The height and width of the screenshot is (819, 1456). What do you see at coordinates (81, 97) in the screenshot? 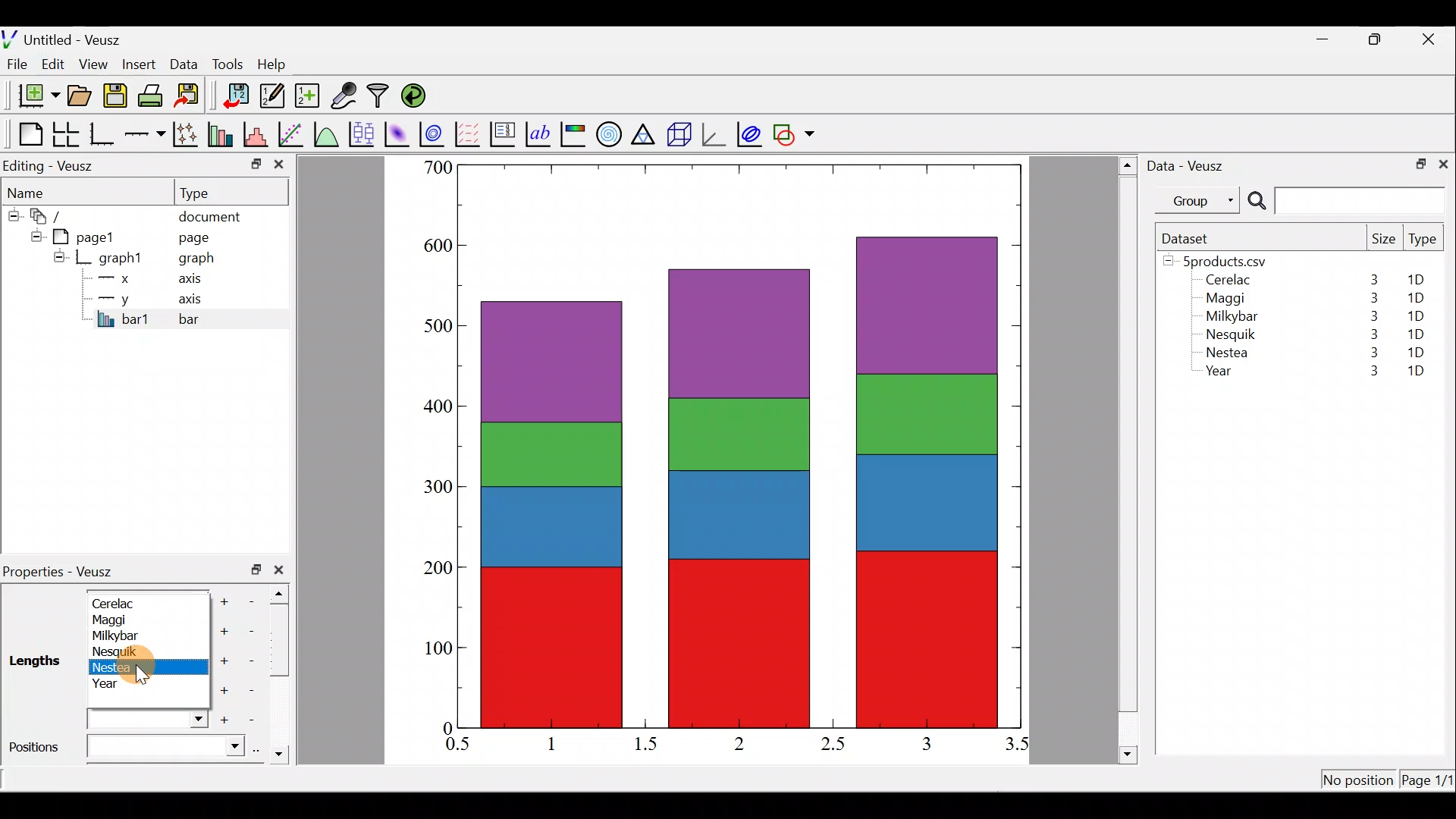
I see `Open a document` at bounding box center [81, 97].